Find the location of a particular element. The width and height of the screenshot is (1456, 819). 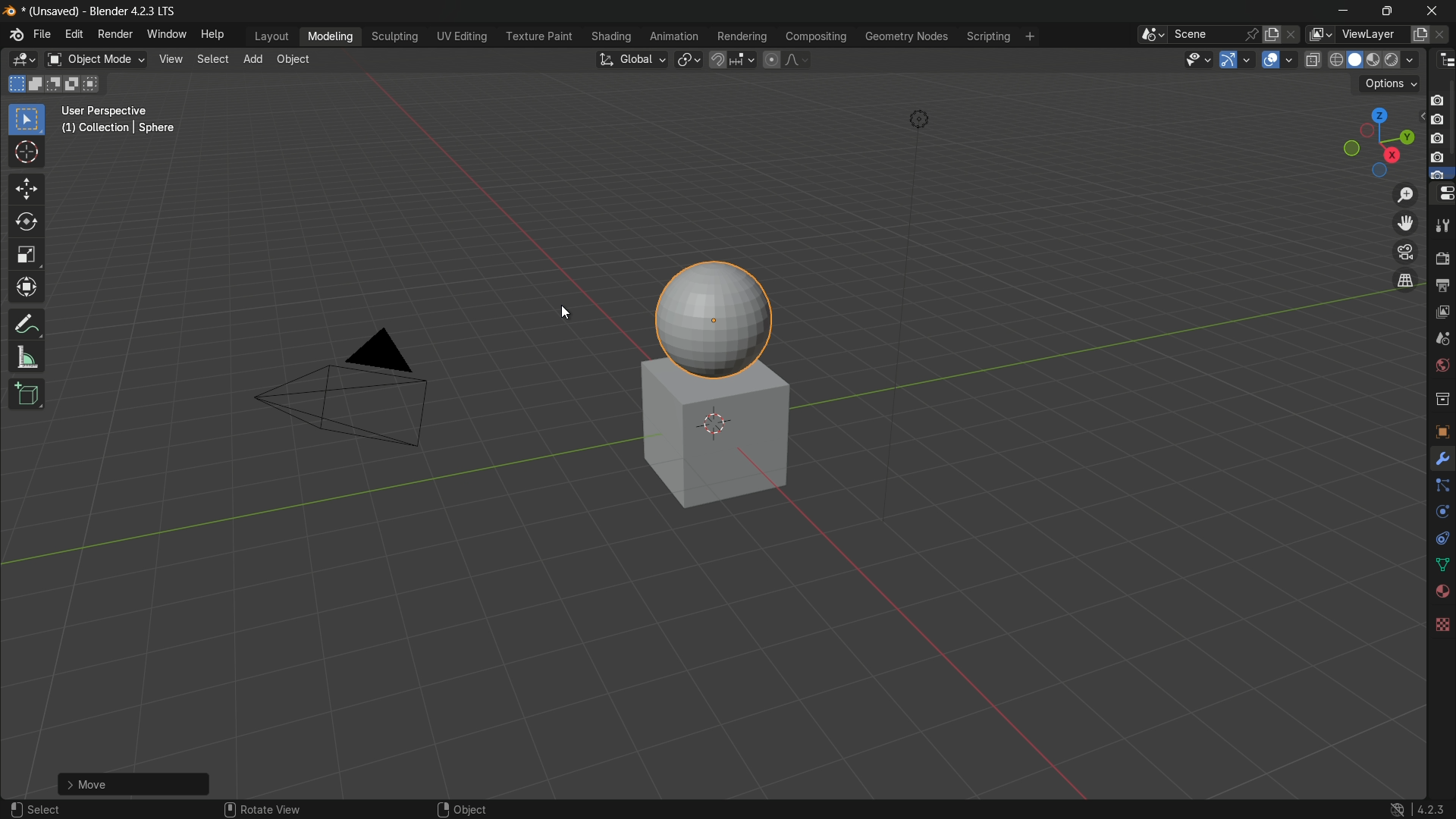

4.2.3 is located at coordinates (1432, 808).